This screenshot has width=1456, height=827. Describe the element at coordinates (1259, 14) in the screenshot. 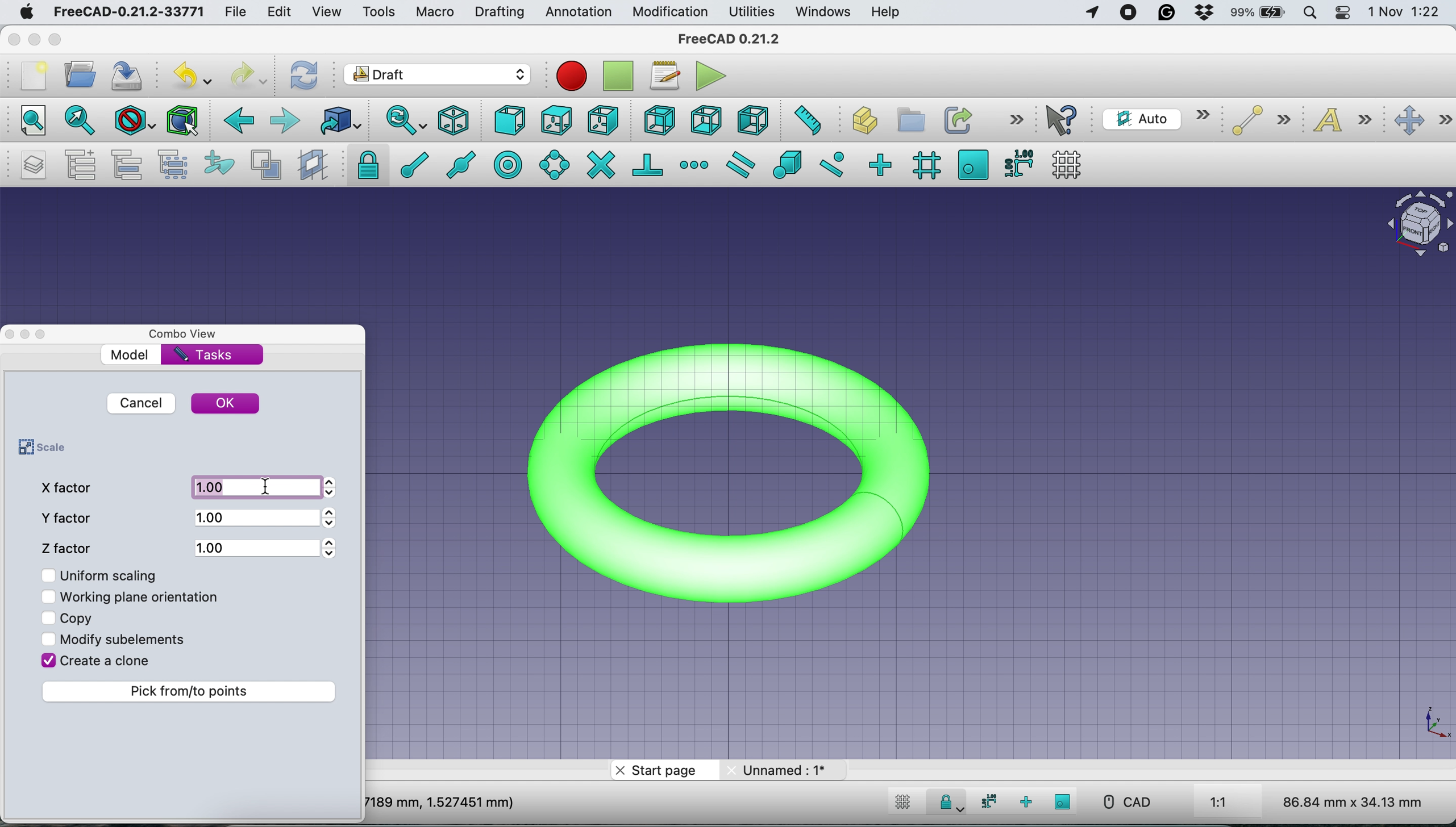

I see `battery` at that location.